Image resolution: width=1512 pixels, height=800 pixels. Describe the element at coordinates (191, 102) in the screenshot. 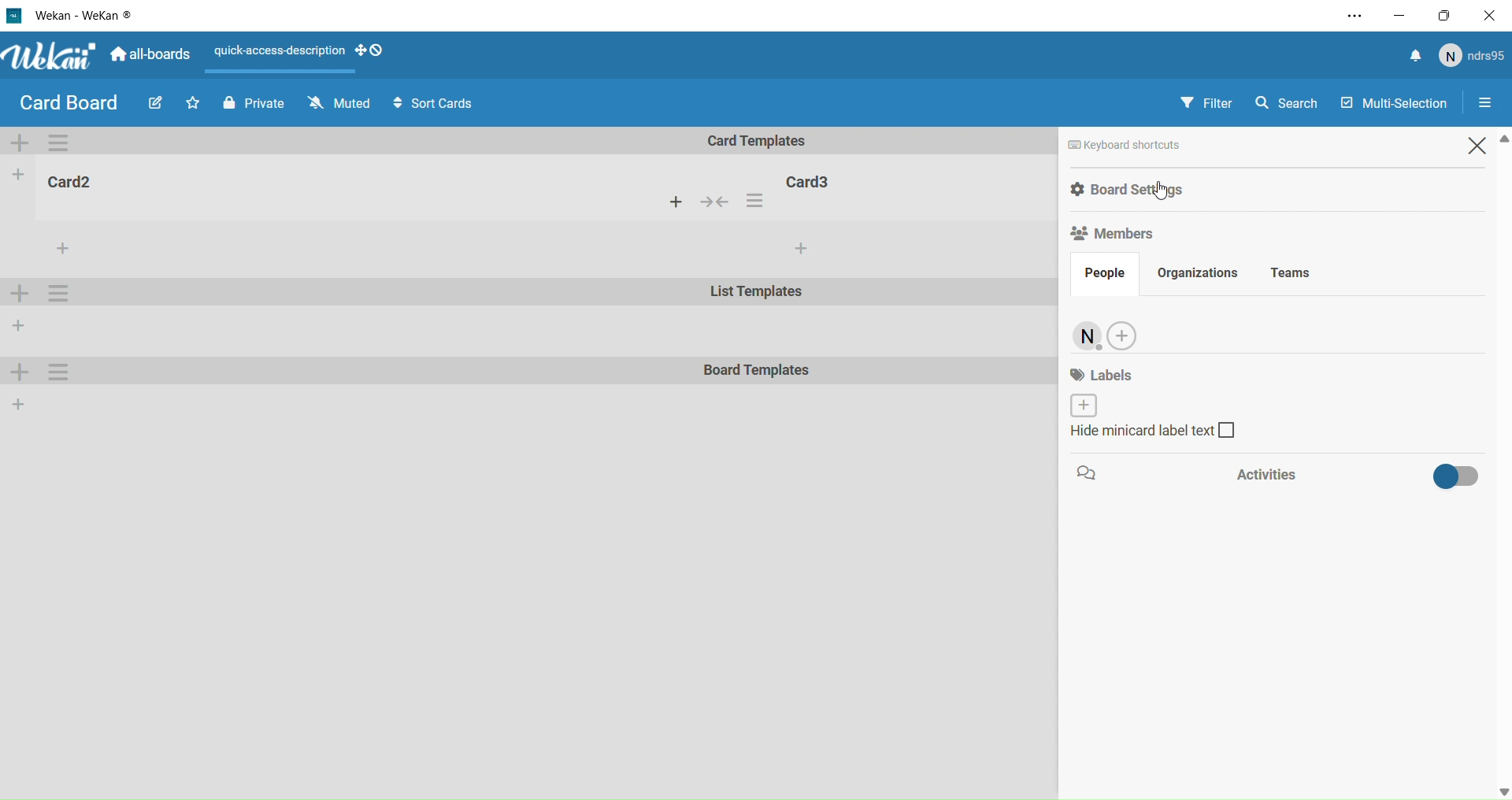

I see `` at that location.